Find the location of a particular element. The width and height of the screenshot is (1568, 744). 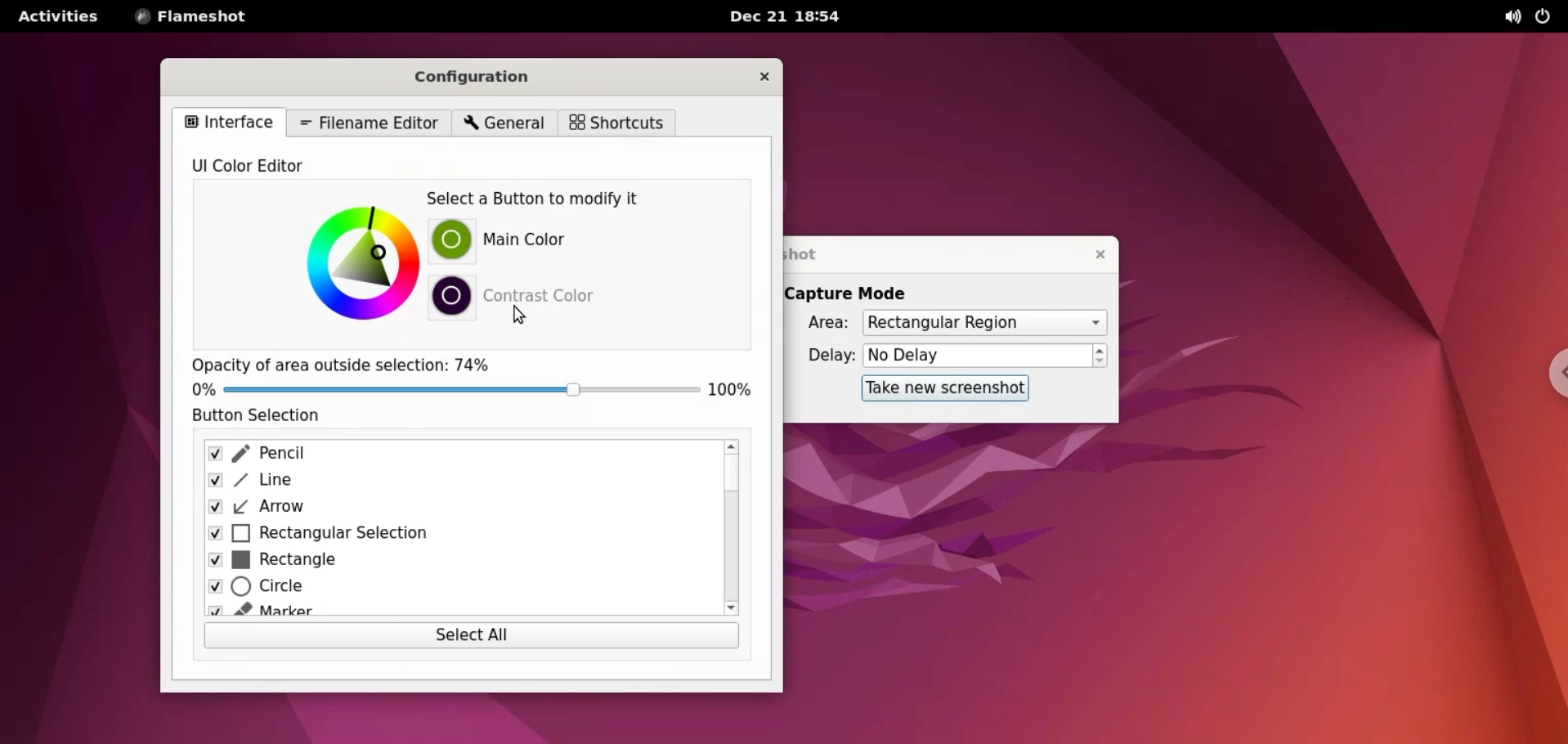

arrow checkbox is located at coordinates (450, 509).